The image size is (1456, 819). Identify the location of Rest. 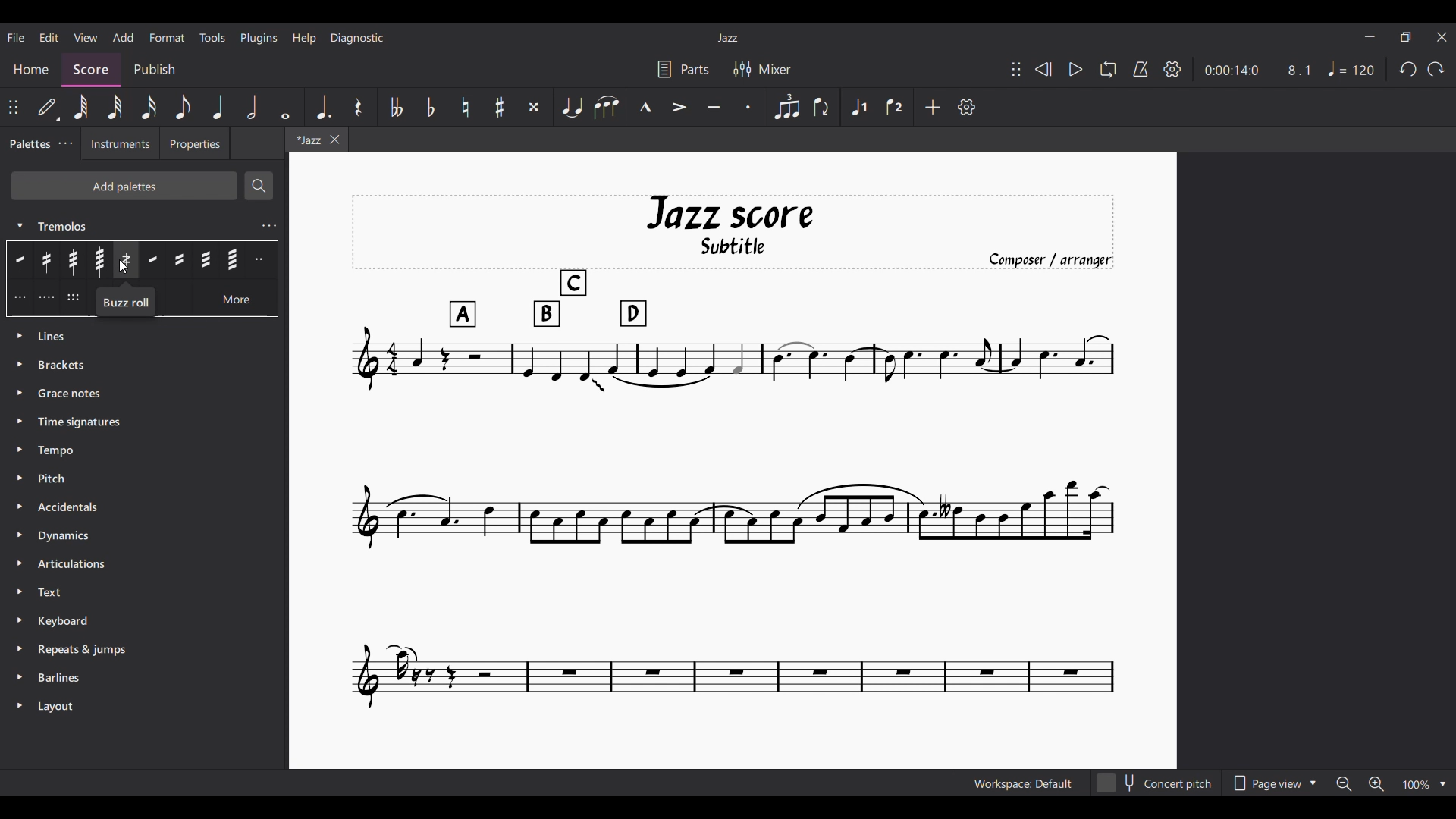
(359, 106).